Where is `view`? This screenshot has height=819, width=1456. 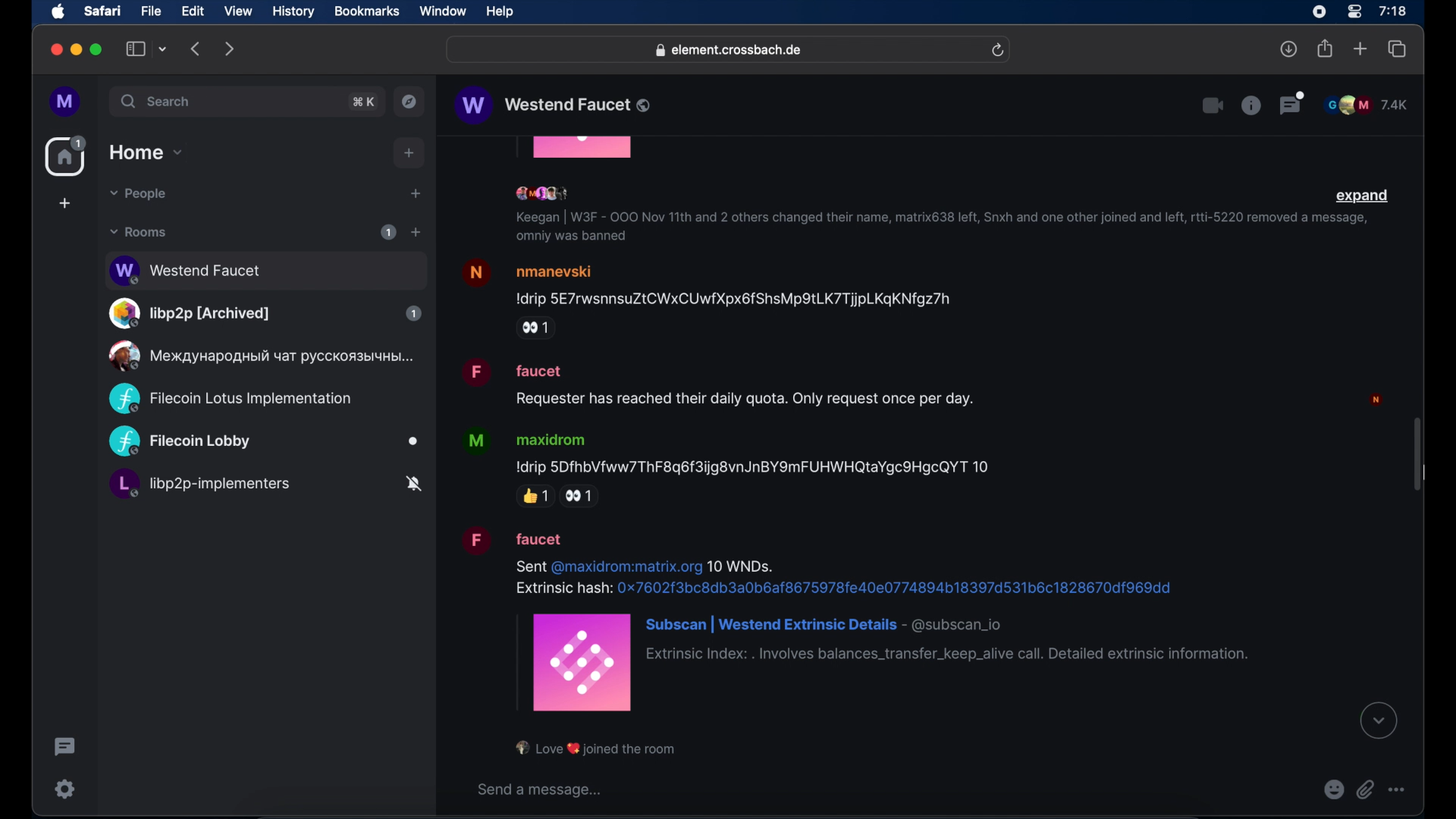
view is located at coordinates (237, 11).